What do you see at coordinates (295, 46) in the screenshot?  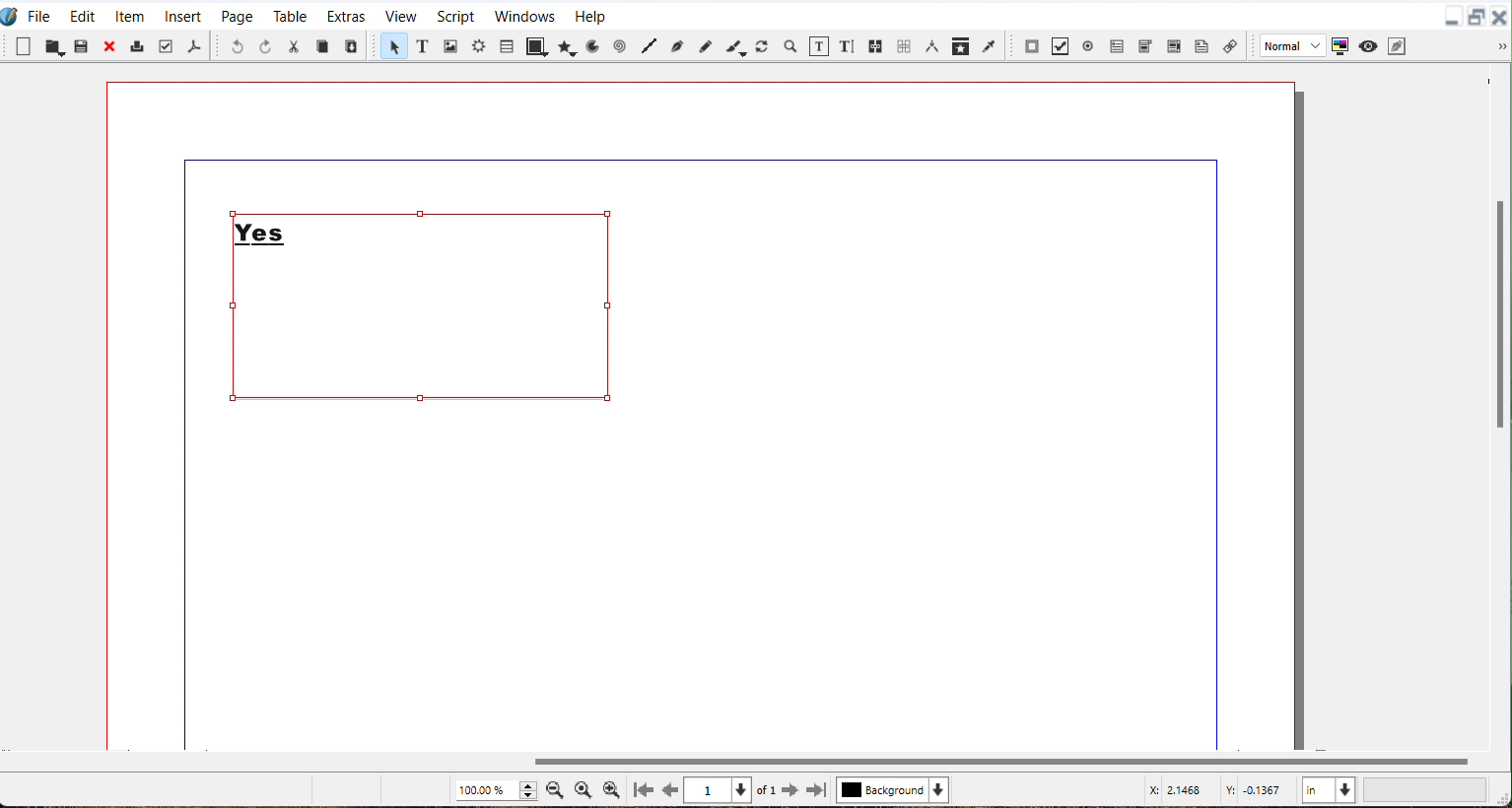 I see `Cut` at bounding box center [295, 46].